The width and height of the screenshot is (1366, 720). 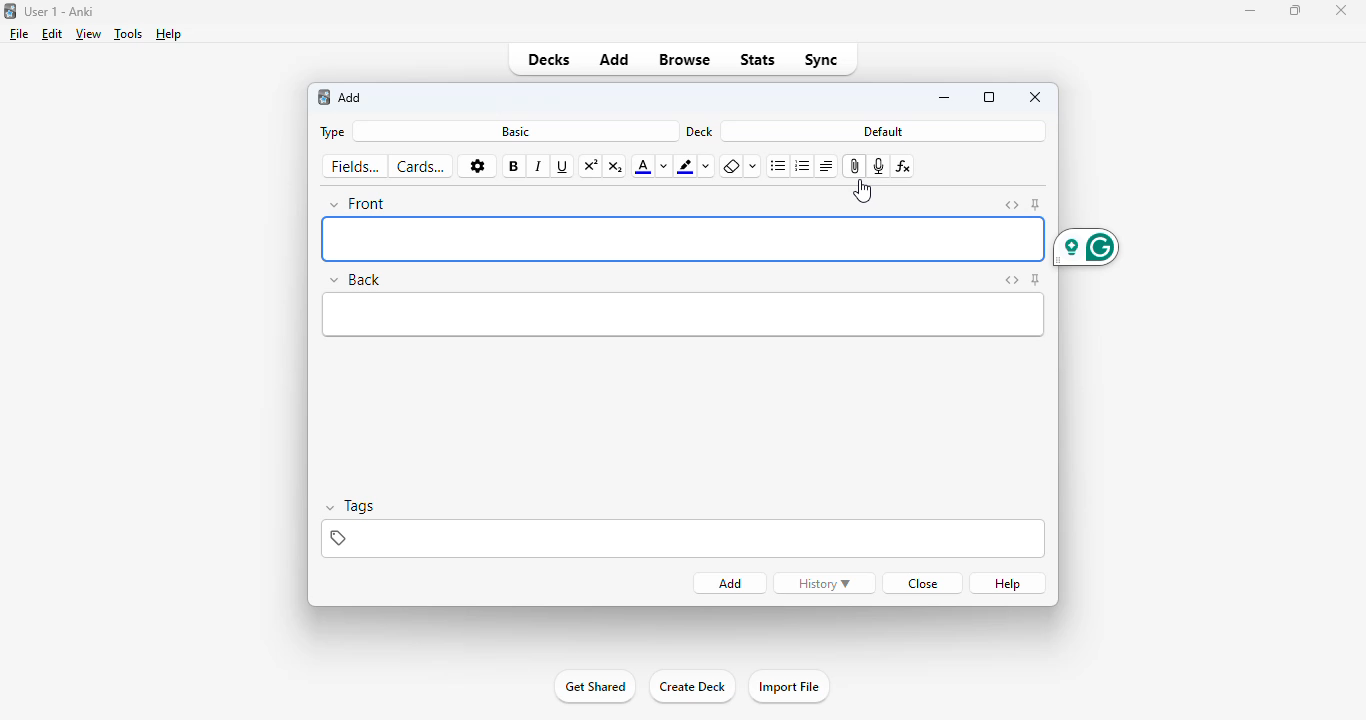 What do you see at coordinates (324, 98) in the screenshot?
I see `add` at bounding box center [324, 98].